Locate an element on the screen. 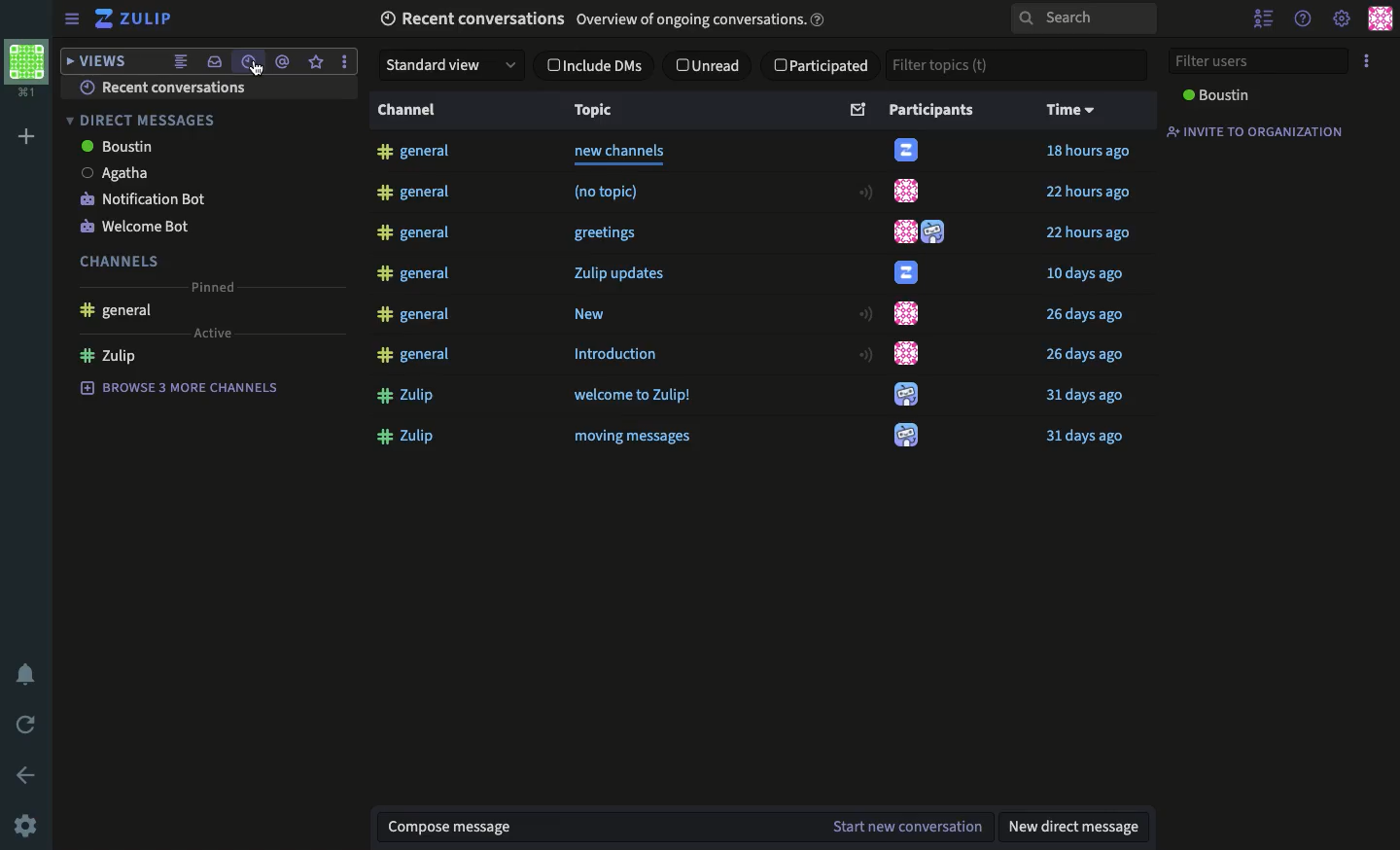 Image resolution: width=1400 pixels, height=850 pixels. combined feed is located at coordinates (179, 61).